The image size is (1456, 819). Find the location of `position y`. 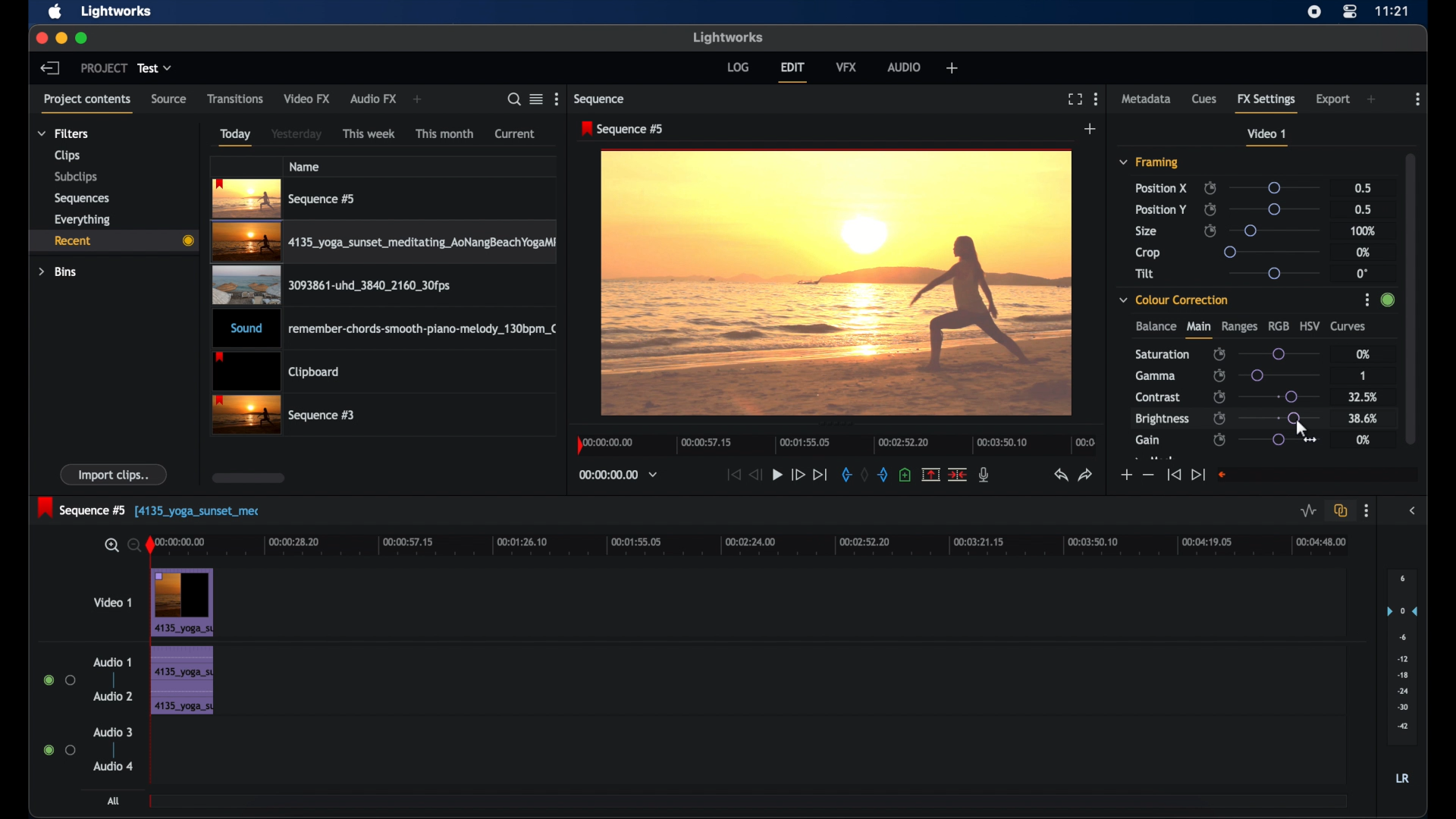

position y is located at coordinates (1160, 209).